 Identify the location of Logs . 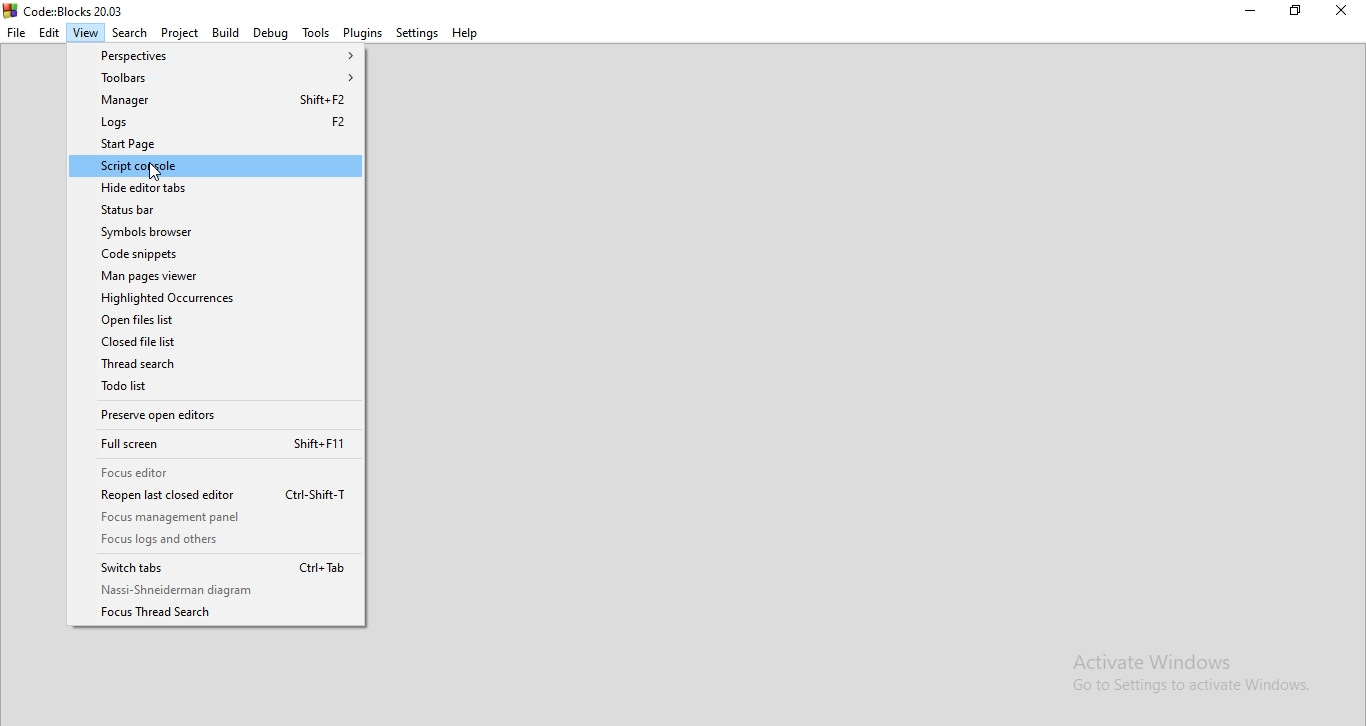
(216, 121).